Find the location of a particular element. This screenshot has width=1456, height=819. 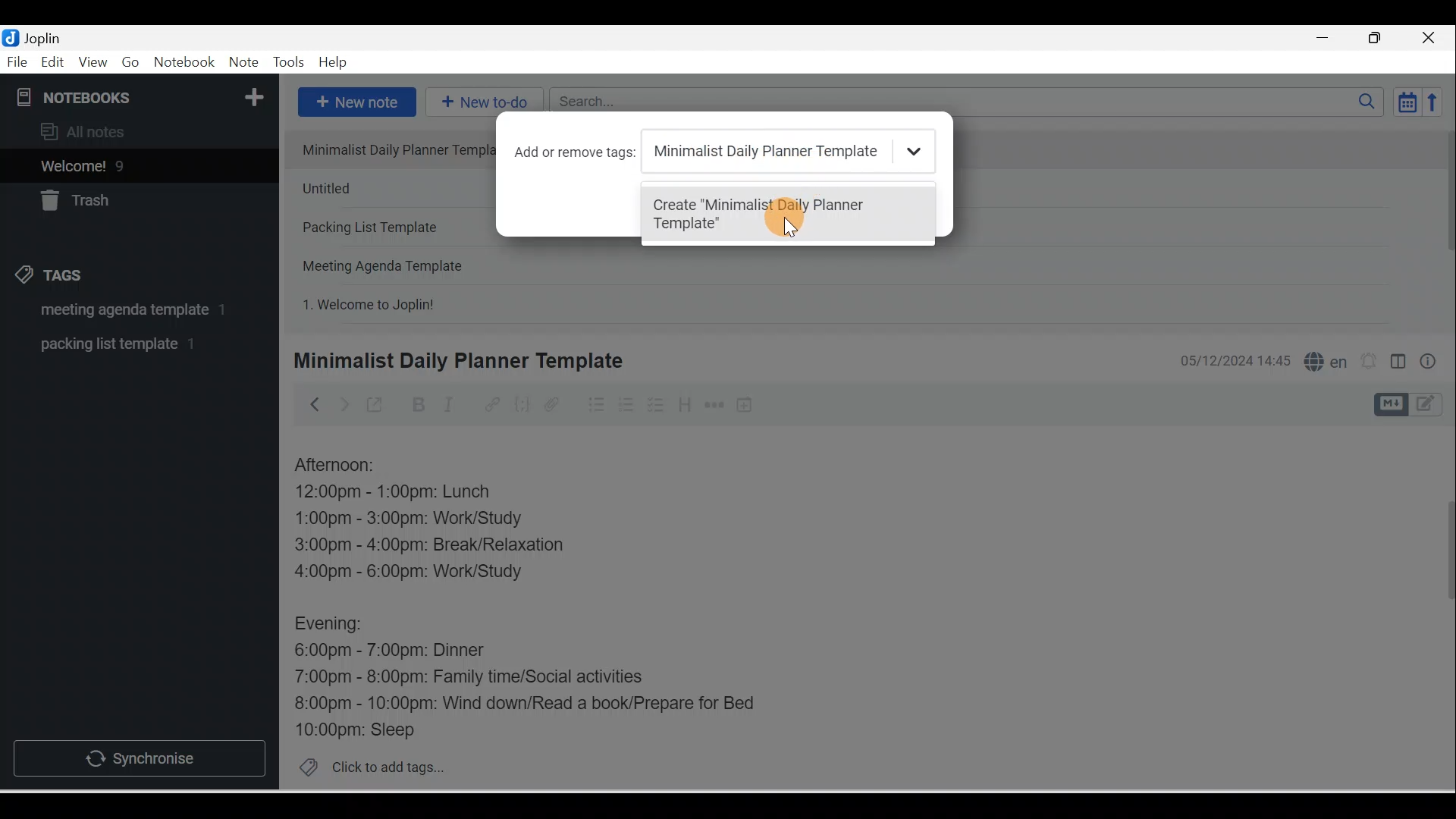

Hyperlink is located at coordinates (491, 406).